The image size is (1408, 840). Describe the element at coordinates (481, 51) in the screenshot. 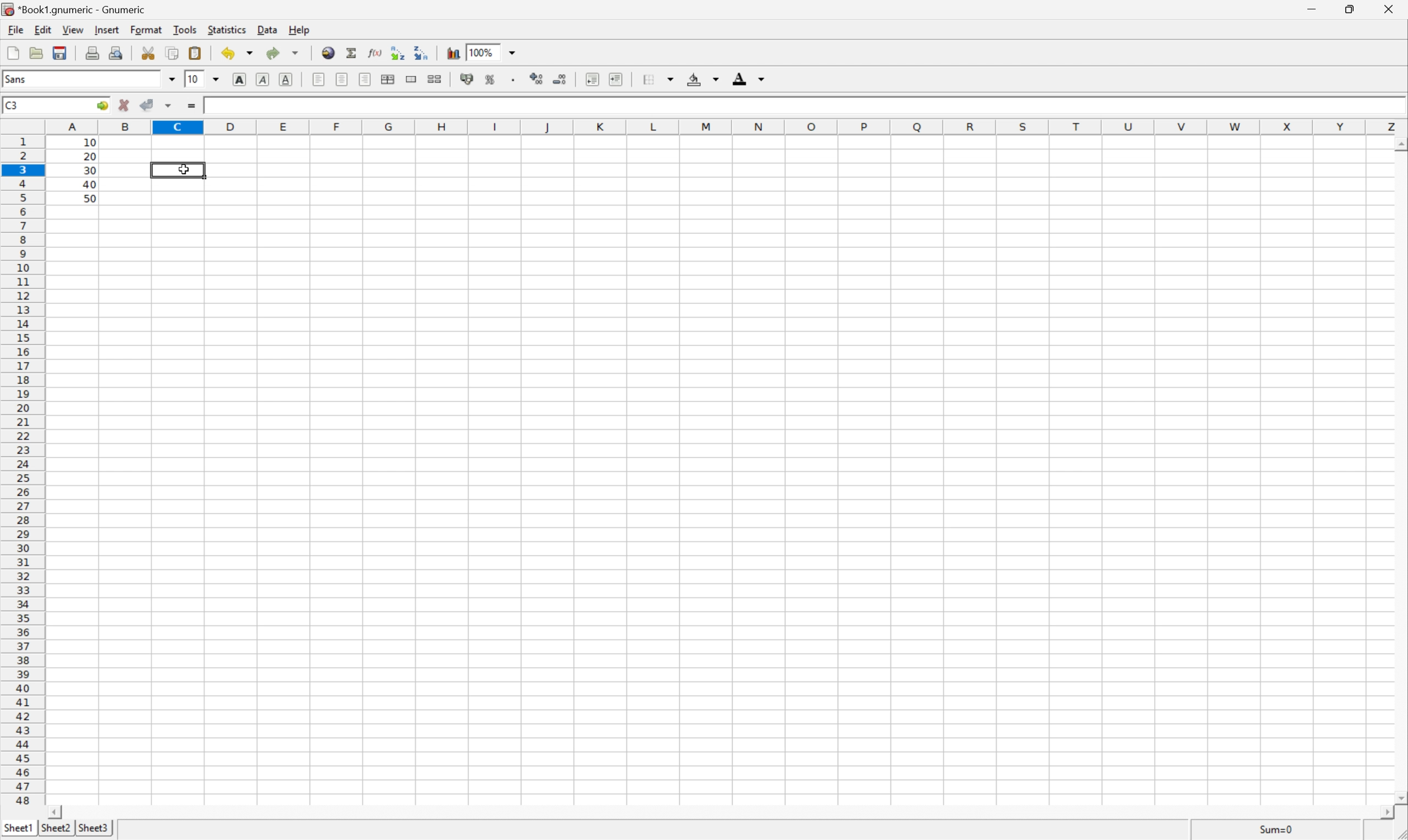

I see `100%` at that location.